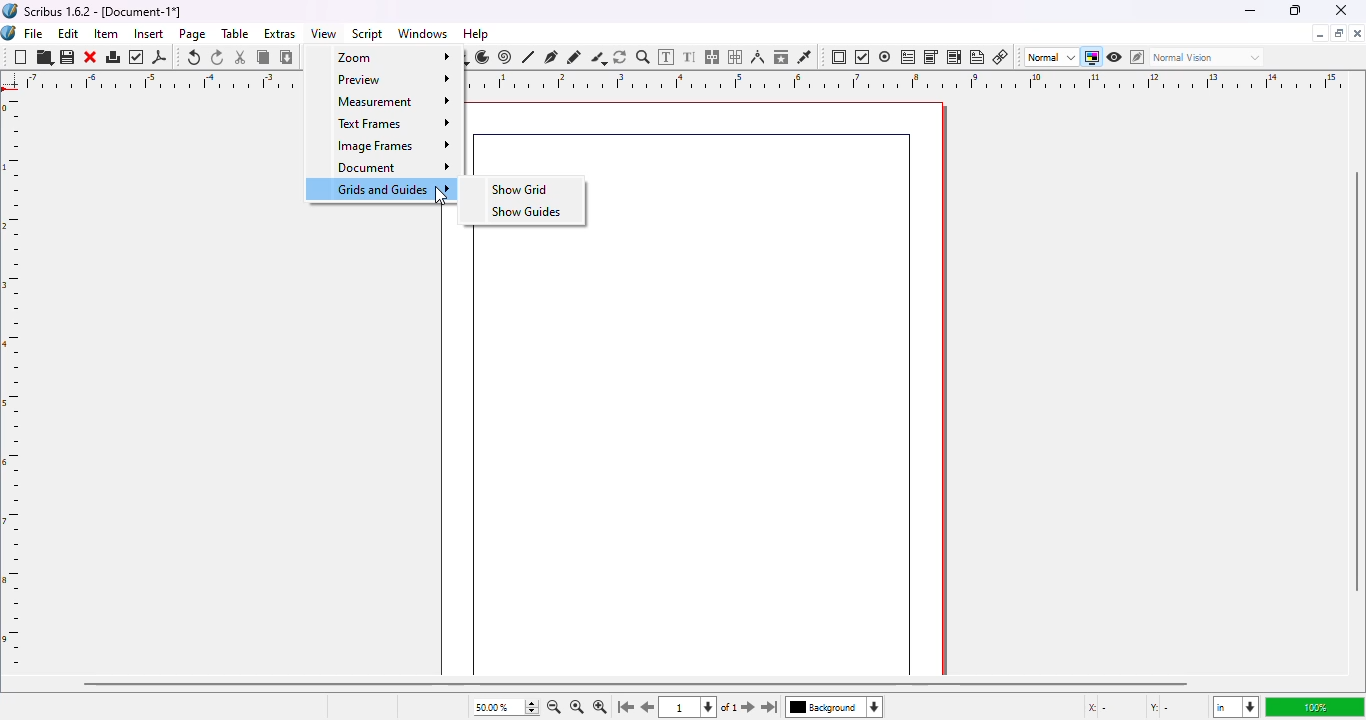  Describe the element at coordinates (160, 57) in the screenshot. I see `export as PDF` at that location.